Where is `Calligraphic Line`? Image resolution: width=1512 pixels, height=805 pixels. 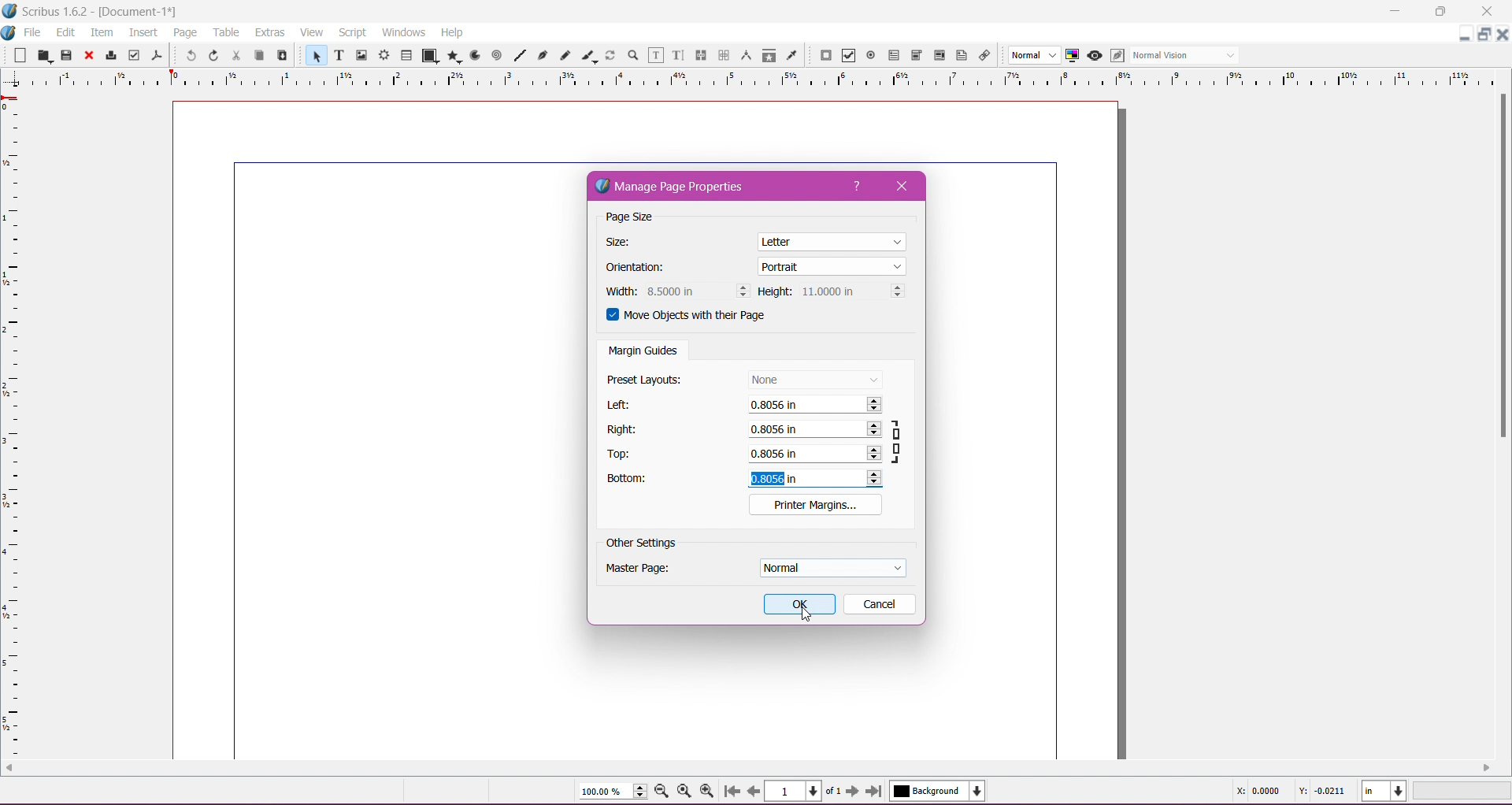 Calligraphic Line is located at coordinates (587, 55).